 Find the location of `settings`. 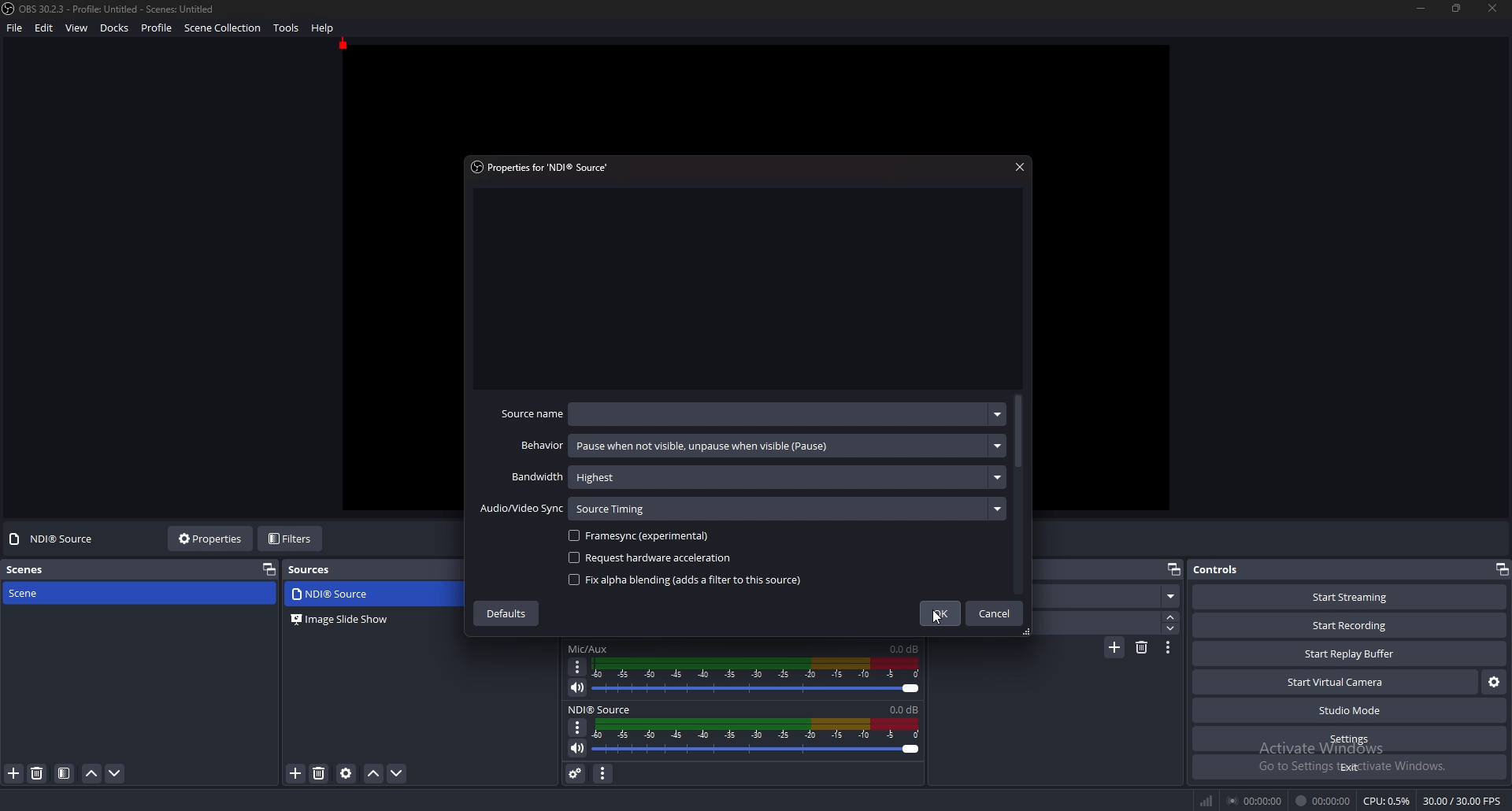

settings is located at coordinates (1348, 739).